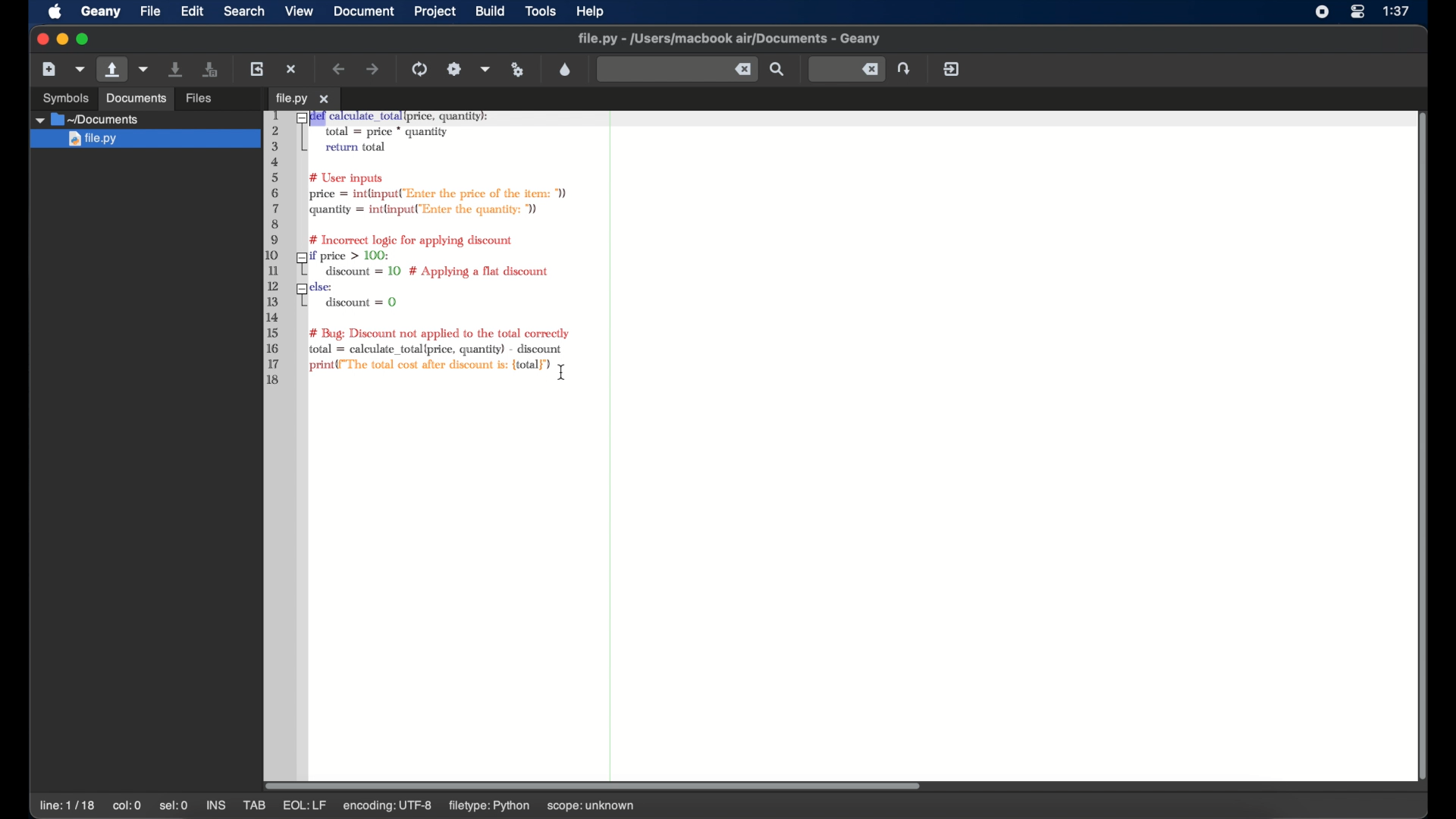 The height and width of the screenshot is (819, 1456). What do you see at coordinates (212, 68) in the screenshot?
I see `save open files` at bounding box center [212, 68].